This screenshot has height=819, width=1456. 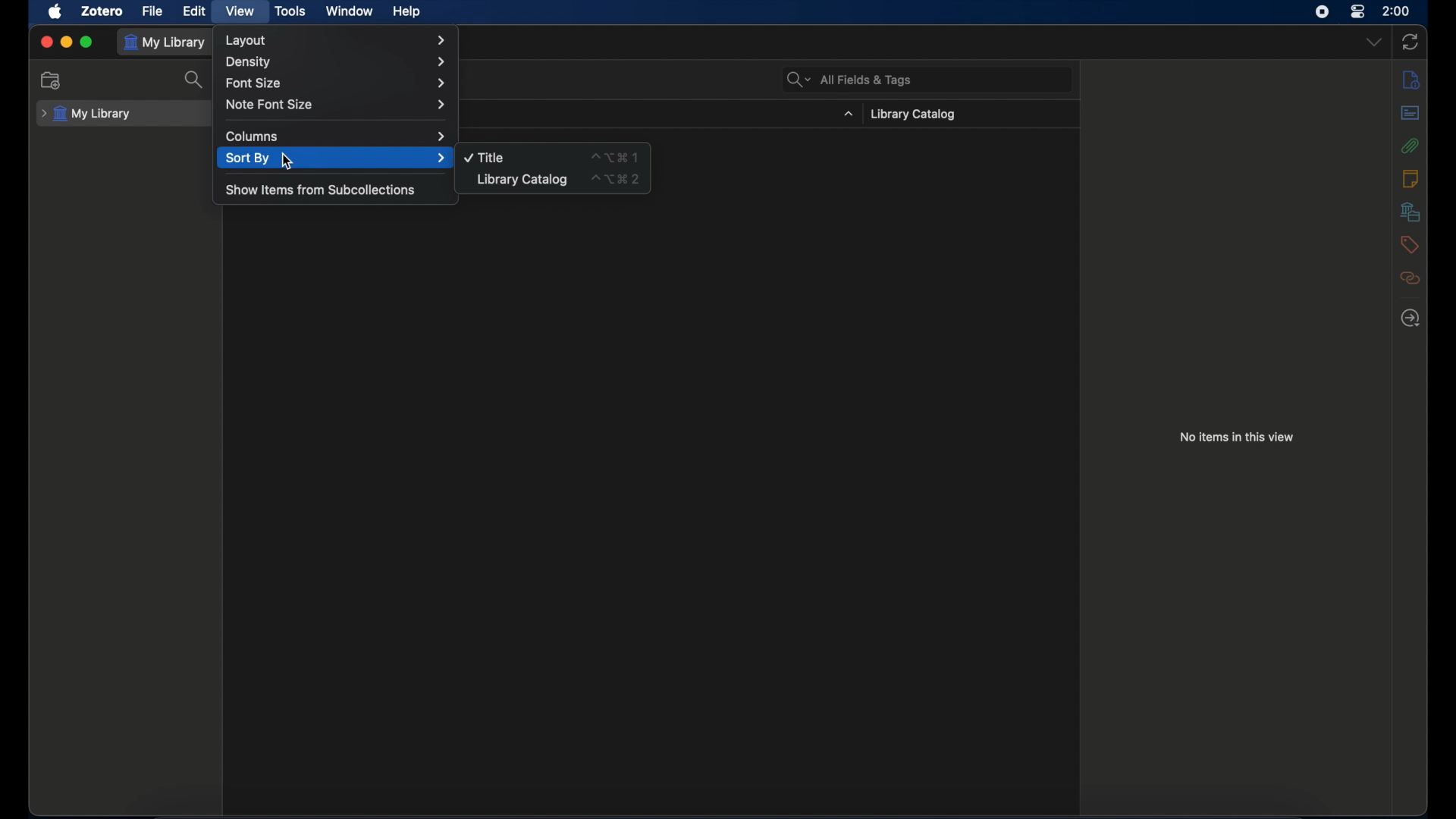 I want to click on screen recorder, so click(x=1323, y=12).